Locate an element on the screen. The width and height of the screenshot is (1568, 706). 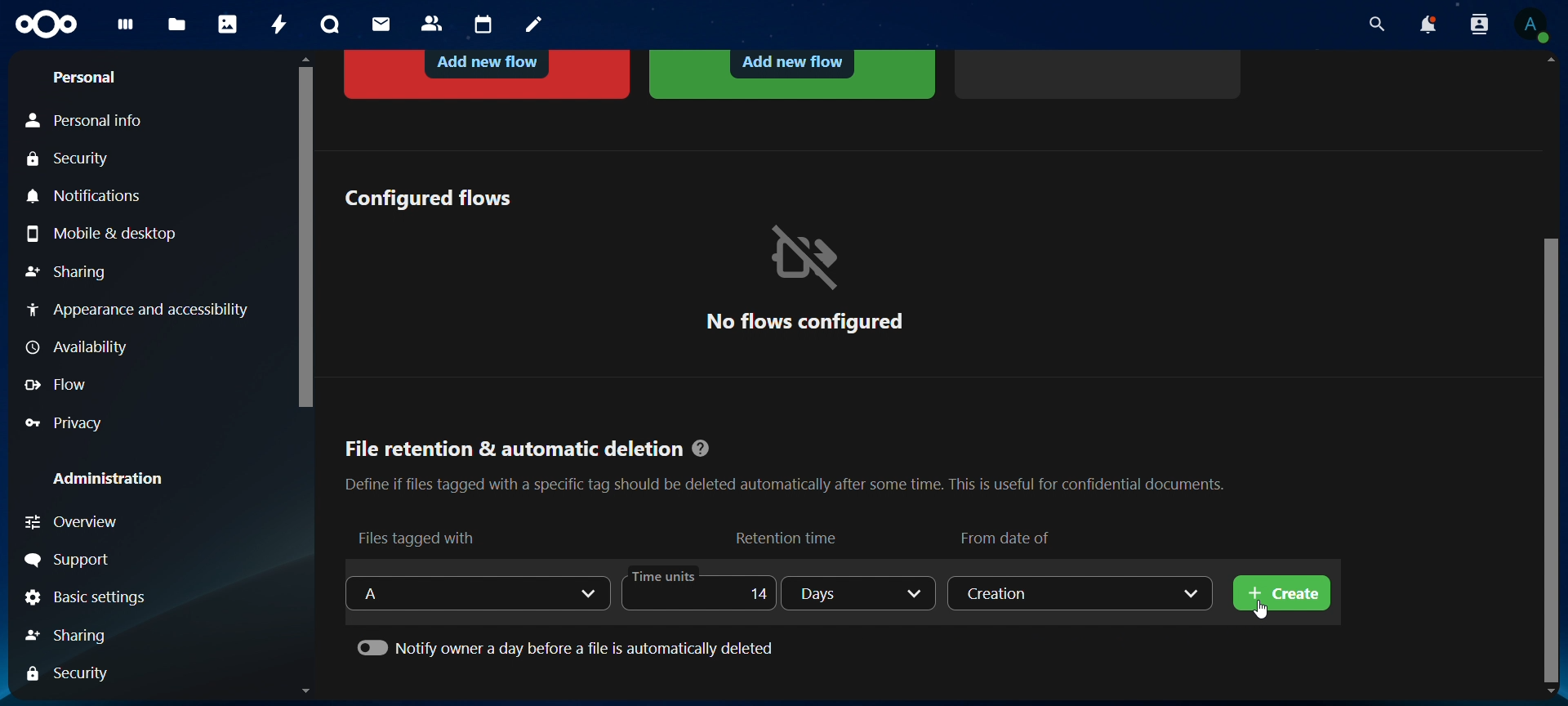
dashboard is located at coordinates (127, 29).